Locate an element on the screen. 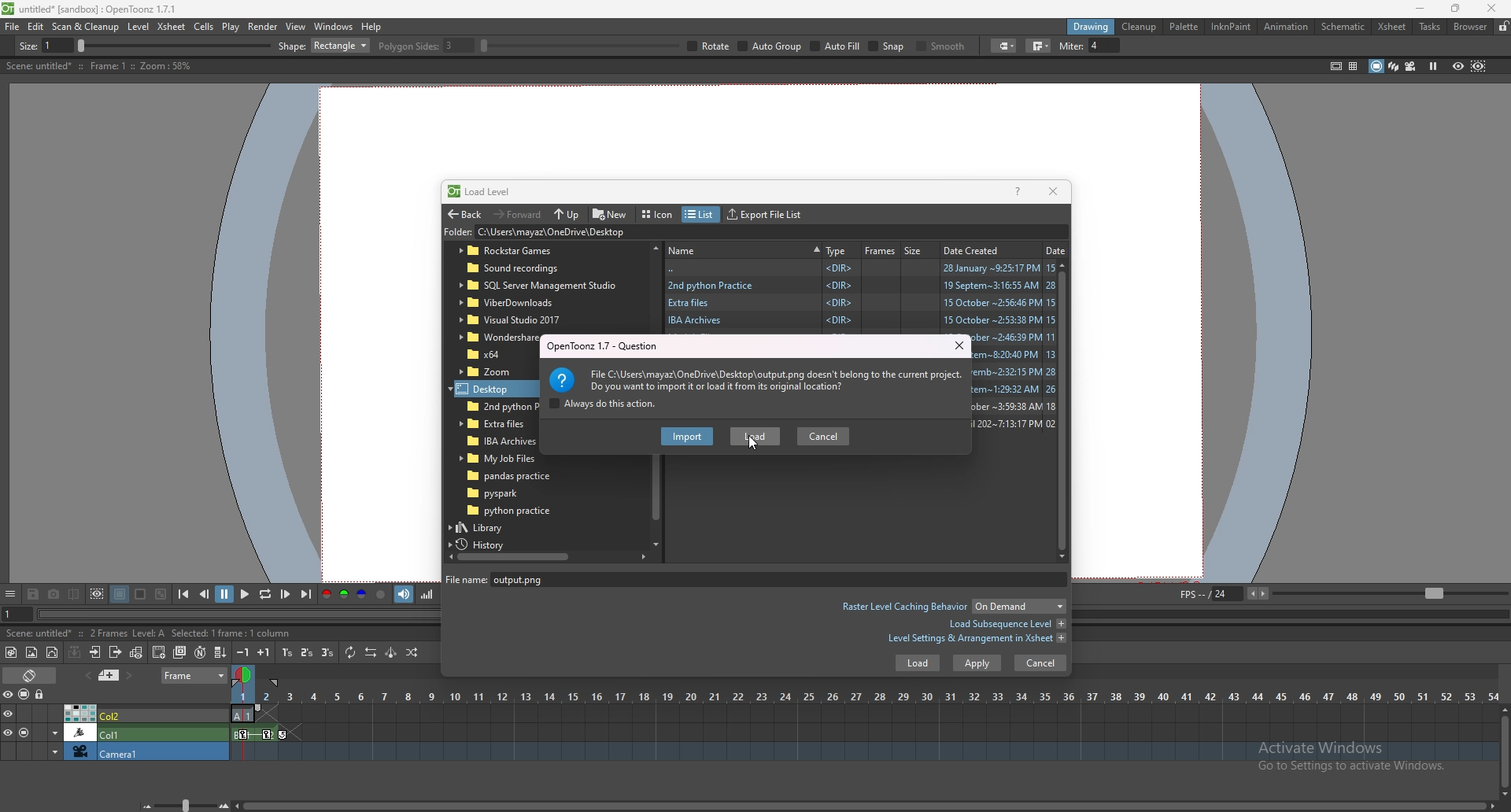 This screenshot has width=1511, height=812. folder is located at coordinates (489, 354).